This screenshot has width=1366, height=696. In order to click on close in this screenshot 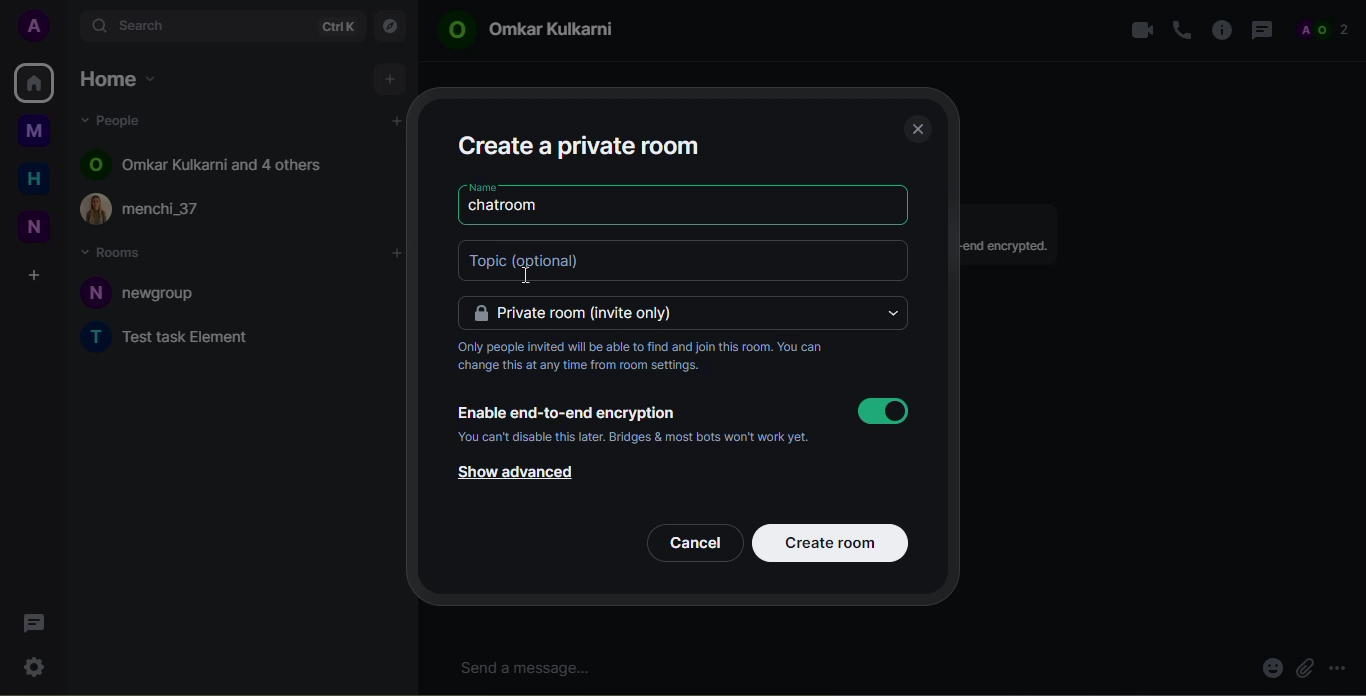, I will do `click(917, 128)`.